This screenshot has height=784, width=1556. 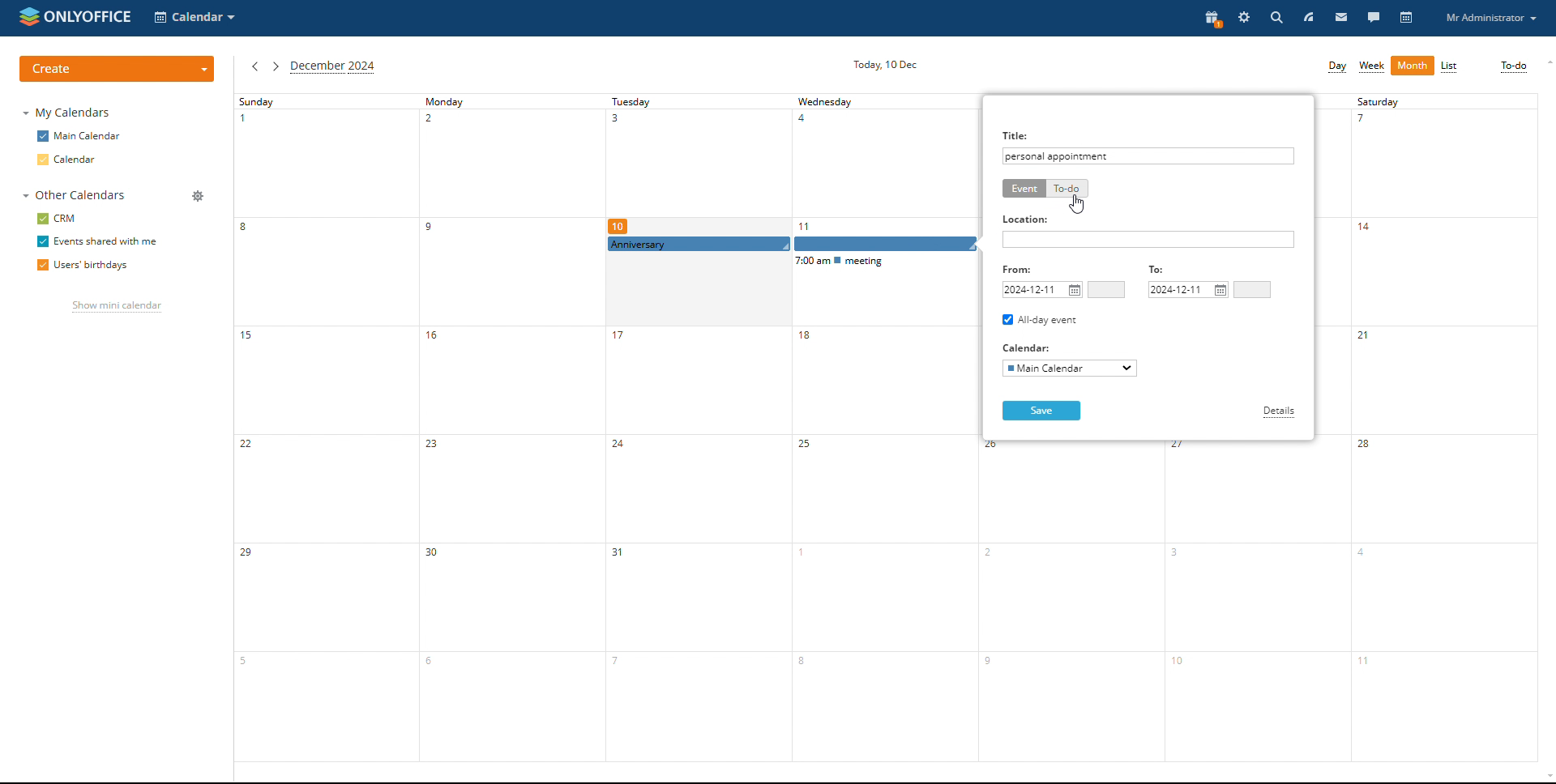 What do you see at coordinates (511, 428) in the screenshot?
I see `monday` at bounding box center [511, 428].